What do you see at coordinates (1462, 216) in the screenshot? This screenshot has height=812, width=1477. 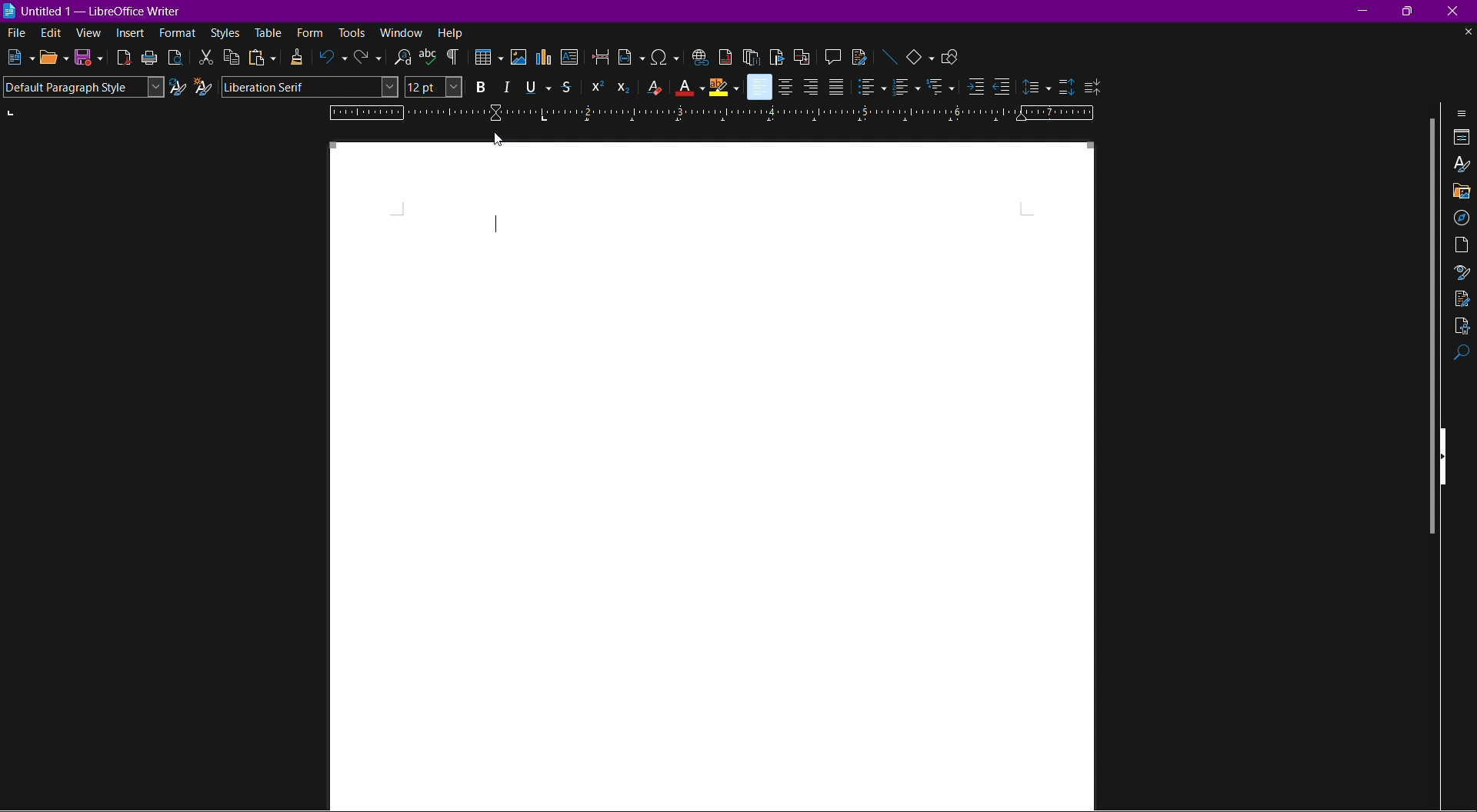 I see `Navigator` at bounding box center [1462, 216].